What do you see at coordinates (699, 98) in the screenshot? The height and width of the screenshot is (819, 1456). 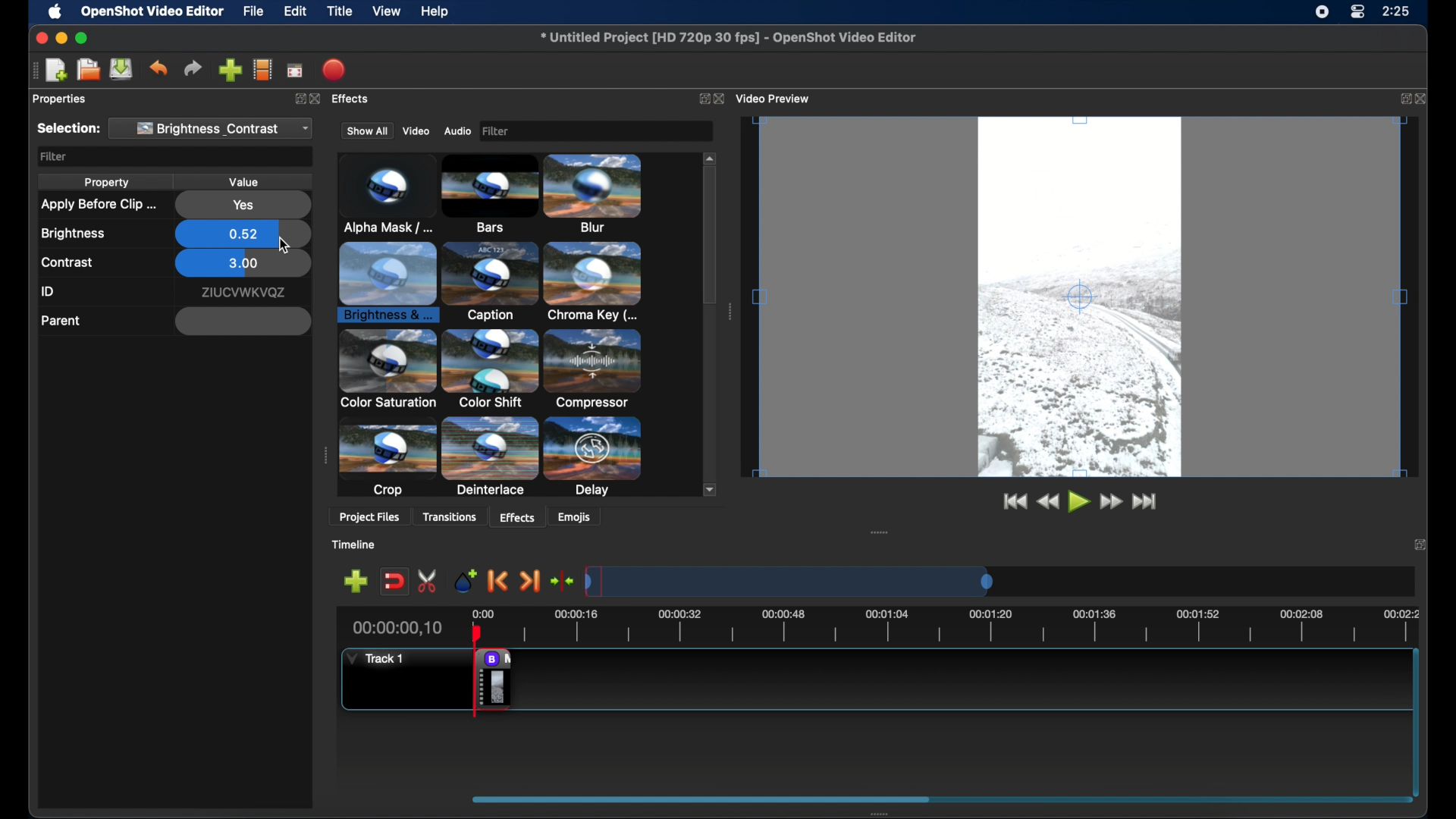 I see `expand` at bounding box center [699, 98].